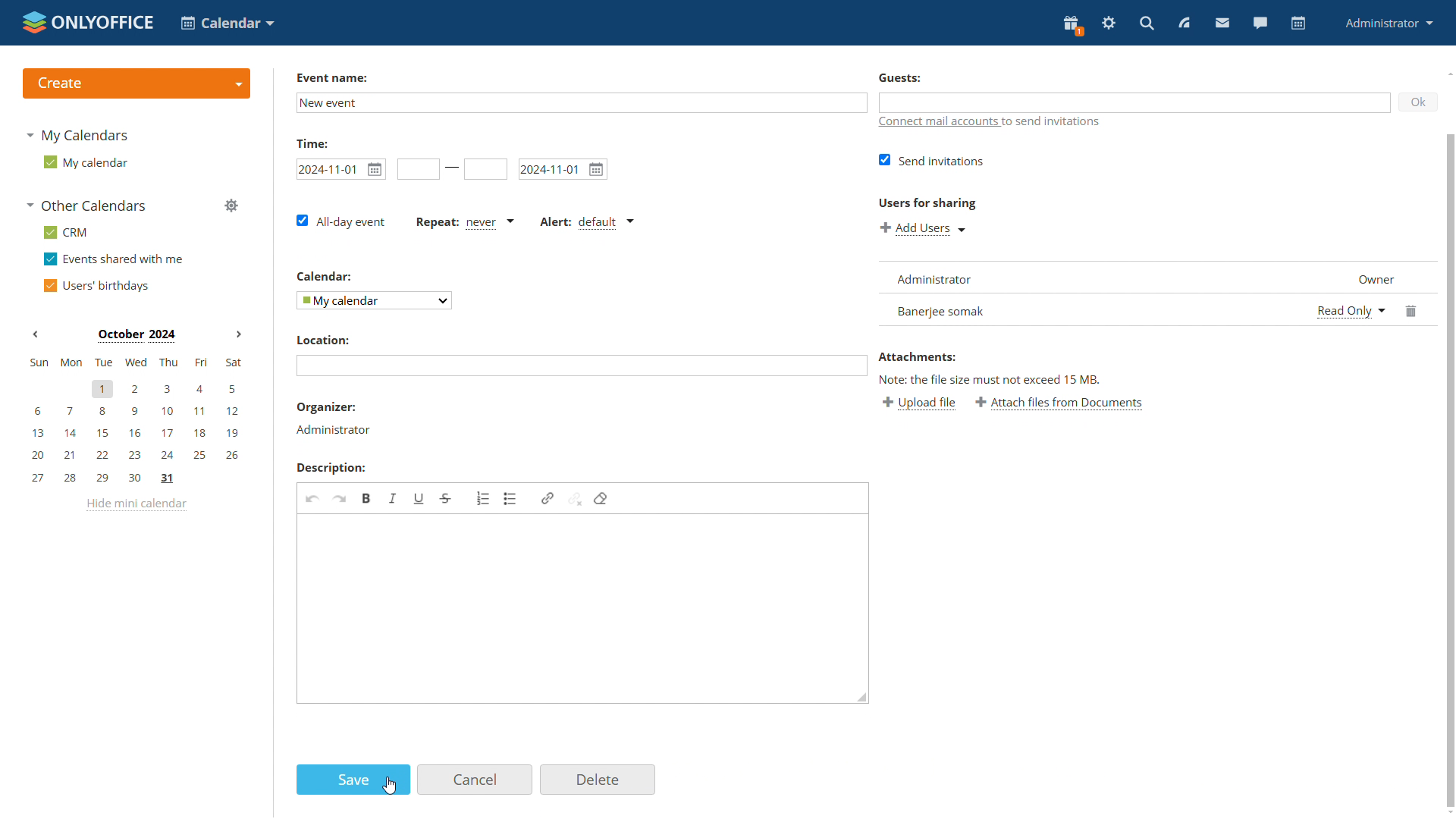  Describe the element at coordinates (340, 168) in the screenshot. I see `start date` at that location.